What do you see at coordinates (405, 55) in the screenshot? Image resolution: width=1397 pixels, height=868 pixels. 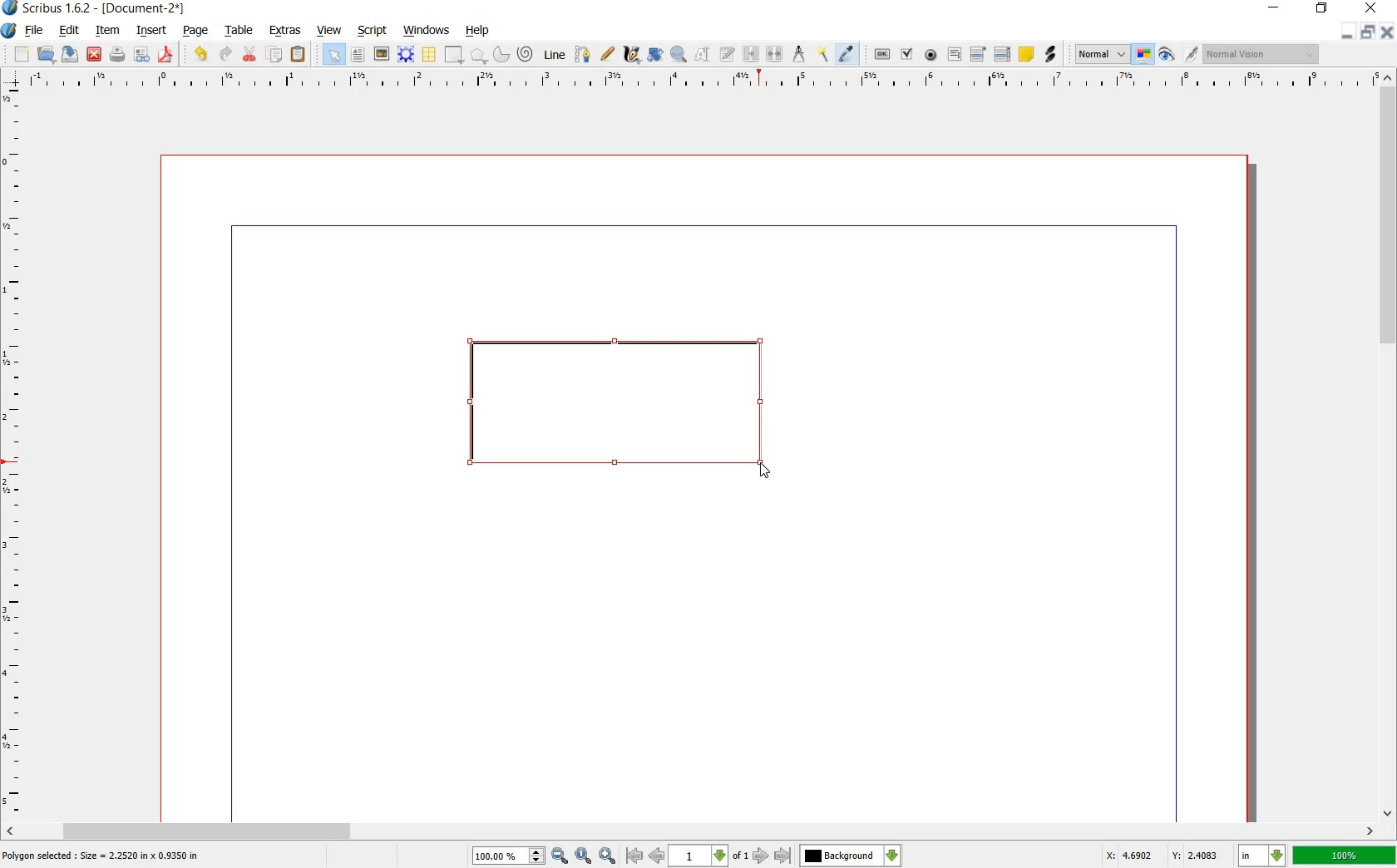 I see `RENDER FRAME` at bounding box center [405, 55].